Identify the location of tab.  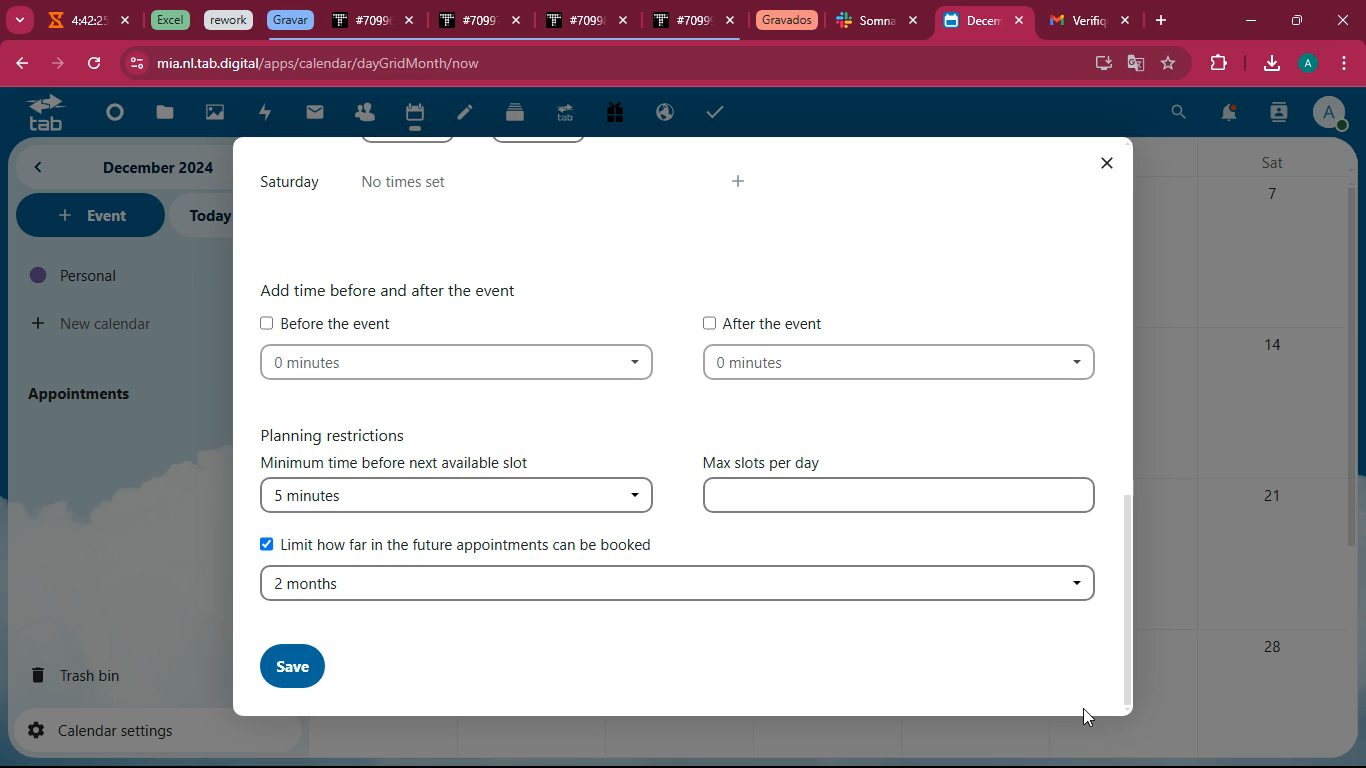
(573, 22).